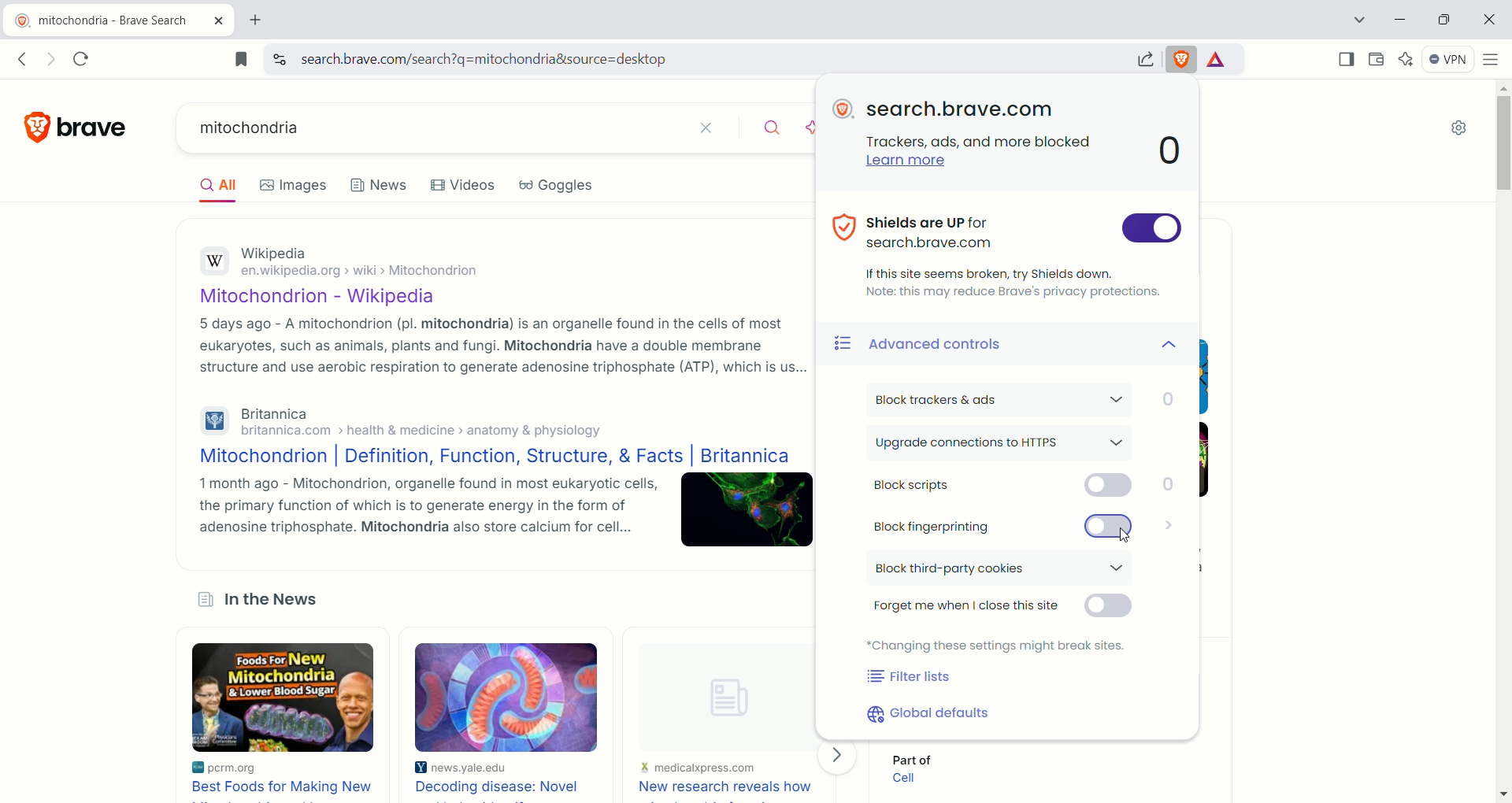  I want to click on Ww Wikipedia
en.wikipedia.org > wiki > Mitochondrion, so click(368, 265).